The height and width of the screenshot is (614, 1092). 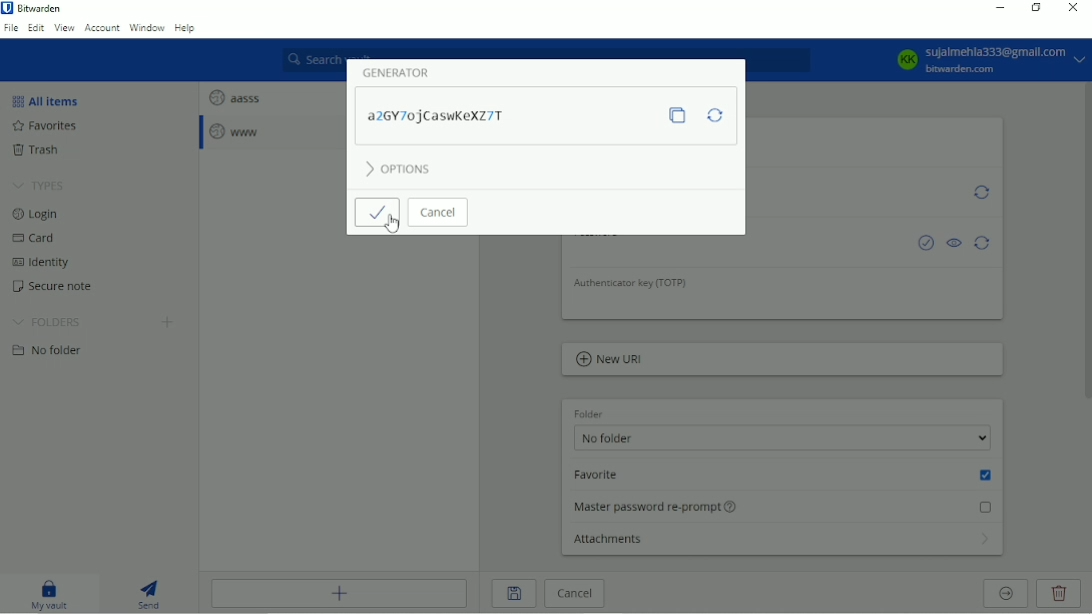 What do you see at coordinates (40, 263) in the screenshot?
I see `Identity` at bounding box center [40, 263].